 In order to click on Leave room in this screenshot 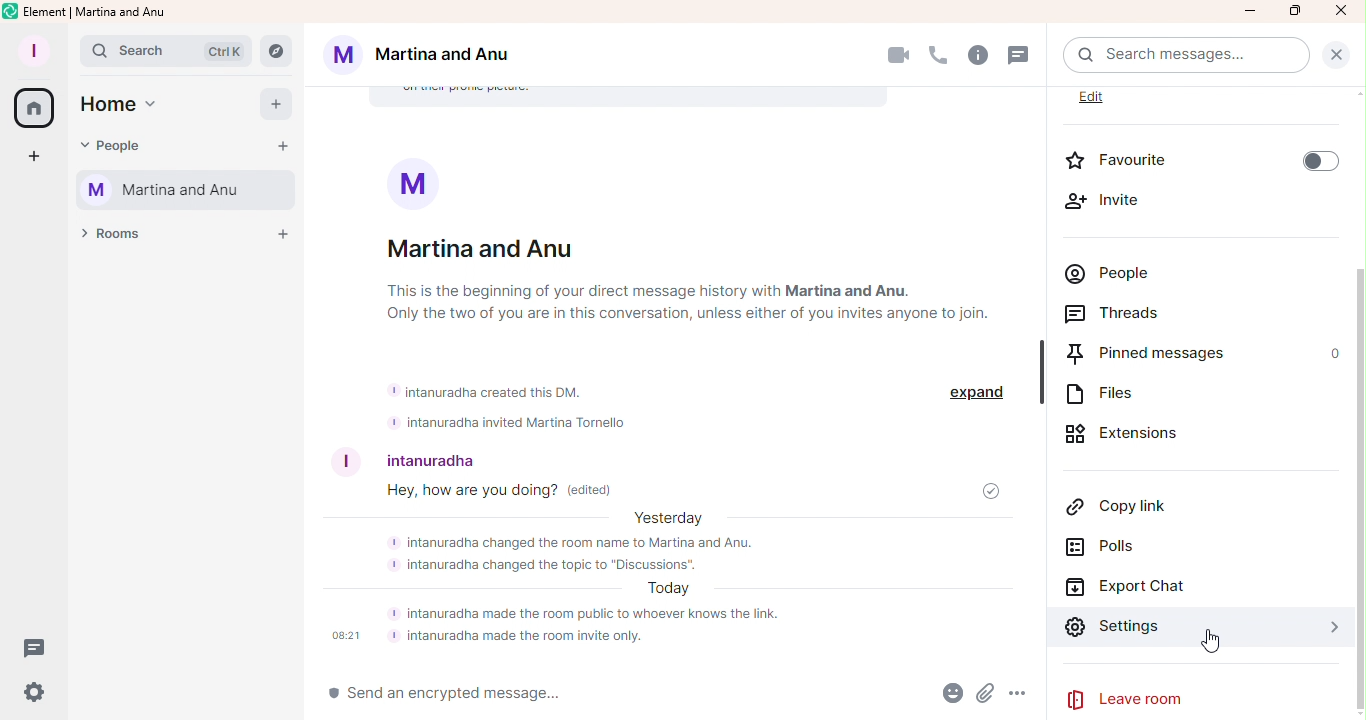, I will do `click(1210, 697)`.